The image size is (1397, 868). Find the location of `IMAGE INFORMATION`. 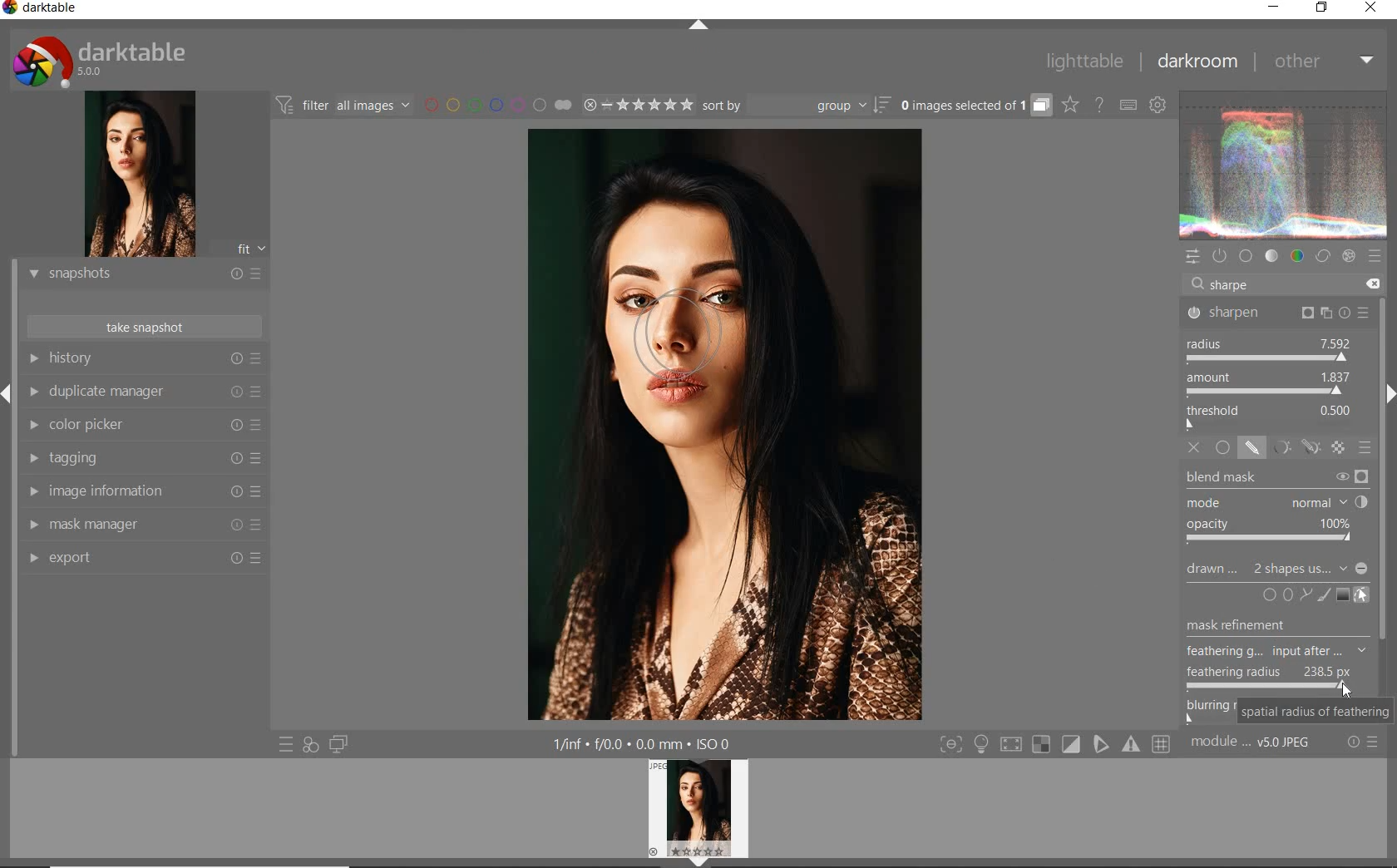

IMAGE INFORMATION is located at coordinates (141, 490).